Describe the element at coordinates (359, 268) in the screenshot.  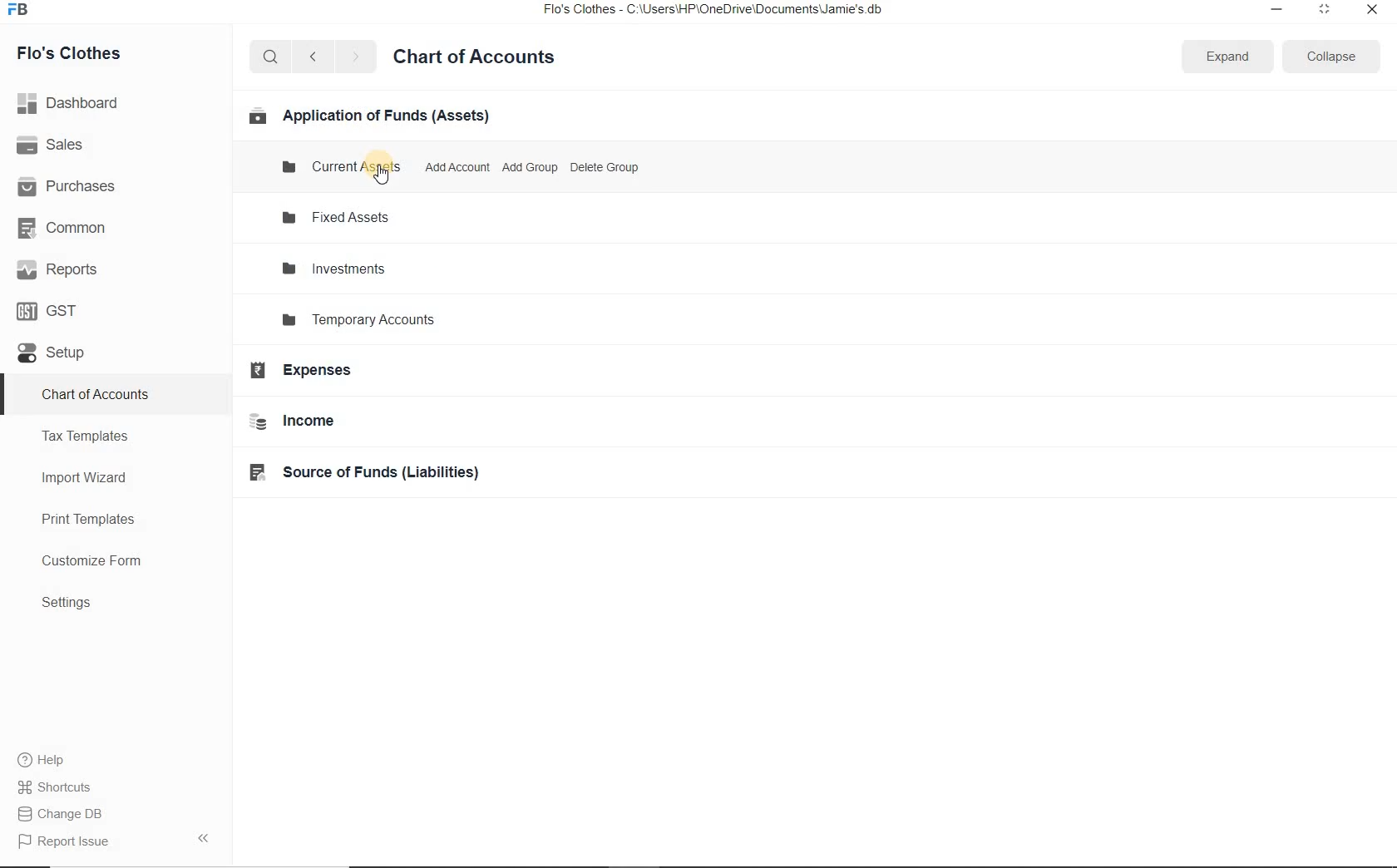
I see `Investments` at that location.